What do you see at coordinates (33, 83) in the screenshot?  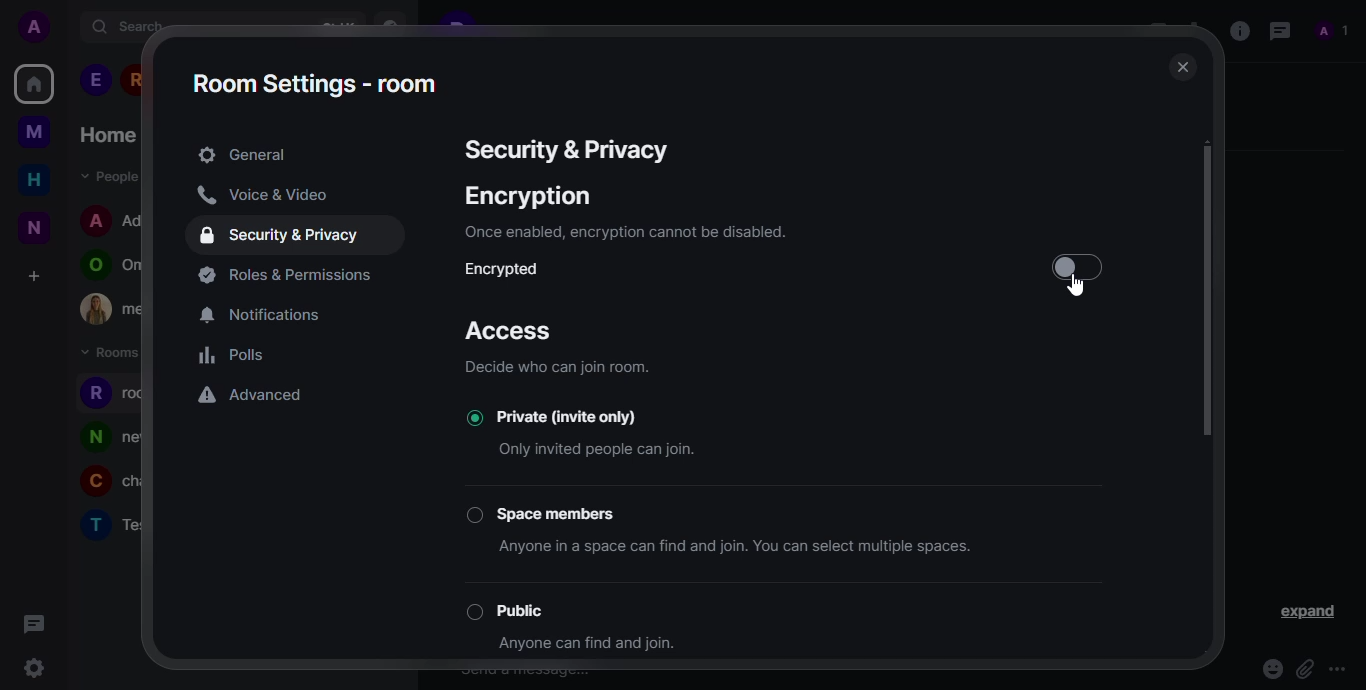 I see `home` at bounding box center [33, 83].